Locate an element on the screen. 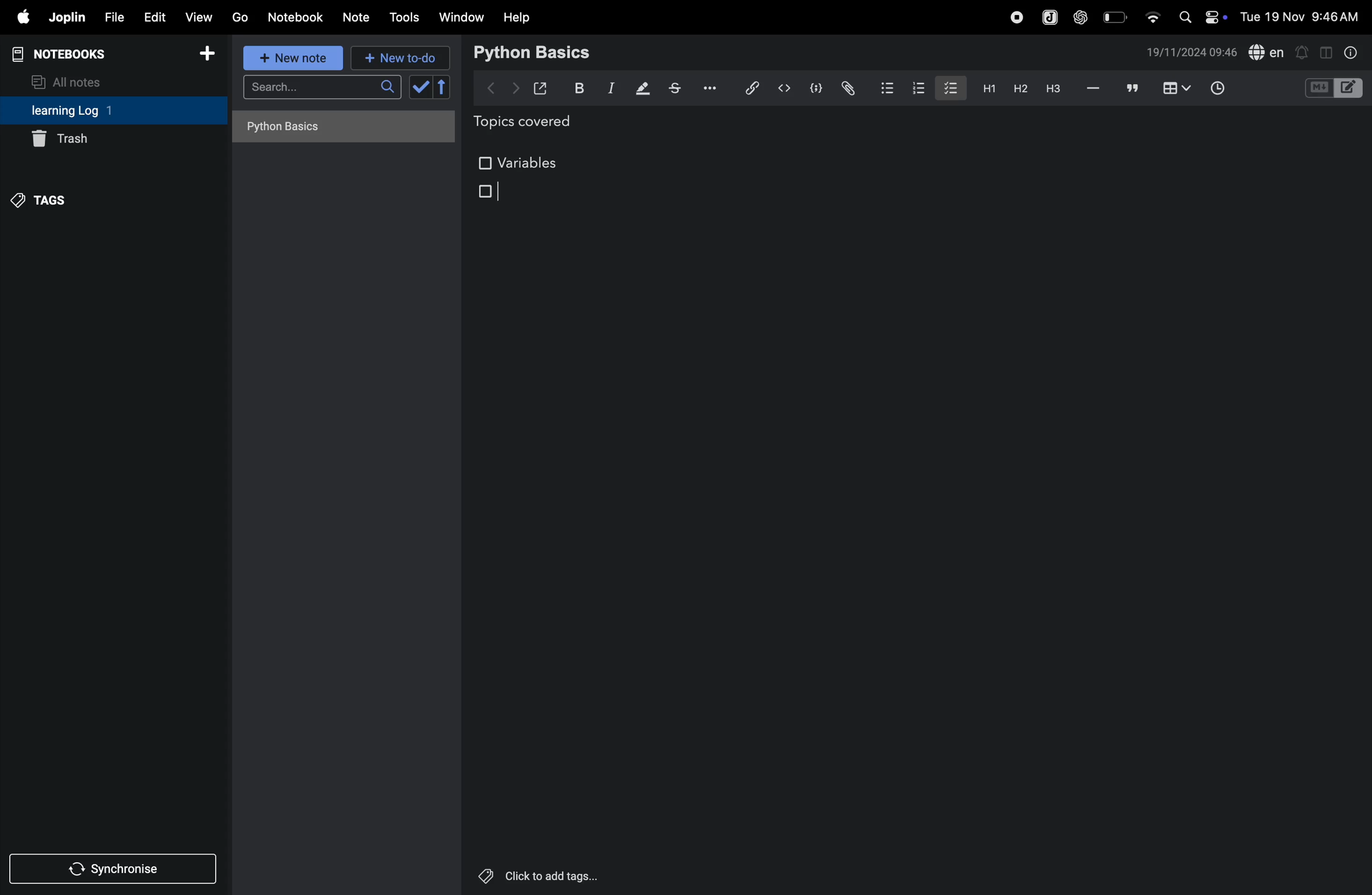  insert code is located at coordinates (785, 88).